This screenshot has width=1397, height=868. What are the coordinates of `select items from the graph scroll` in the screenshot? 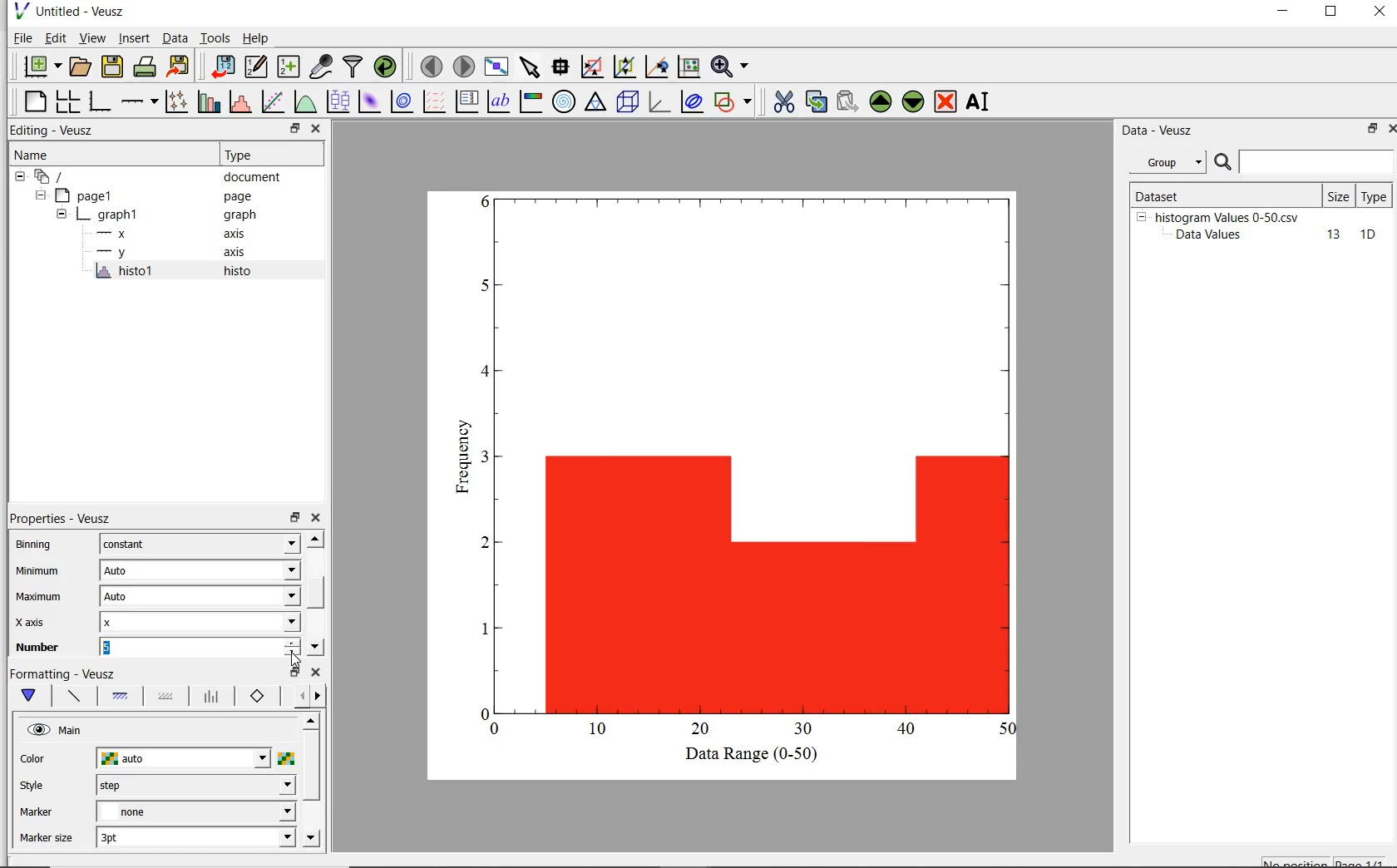 It's located at (531, 65).